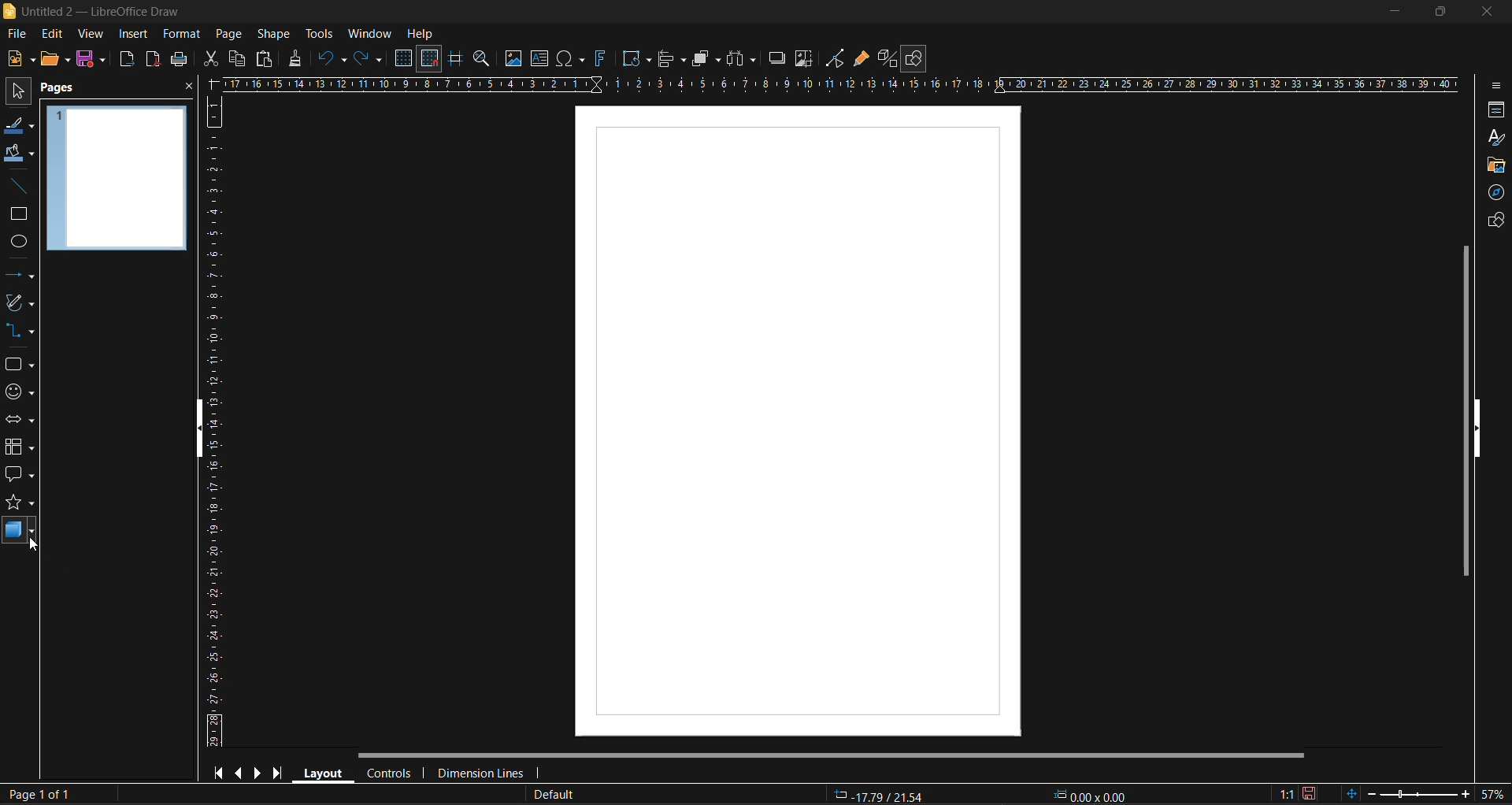 This screenshot has width=1512, height=805. What do you see at coordinates (241, 772) in the screenshot?
I see `previous` at bounding box center [241, 772].